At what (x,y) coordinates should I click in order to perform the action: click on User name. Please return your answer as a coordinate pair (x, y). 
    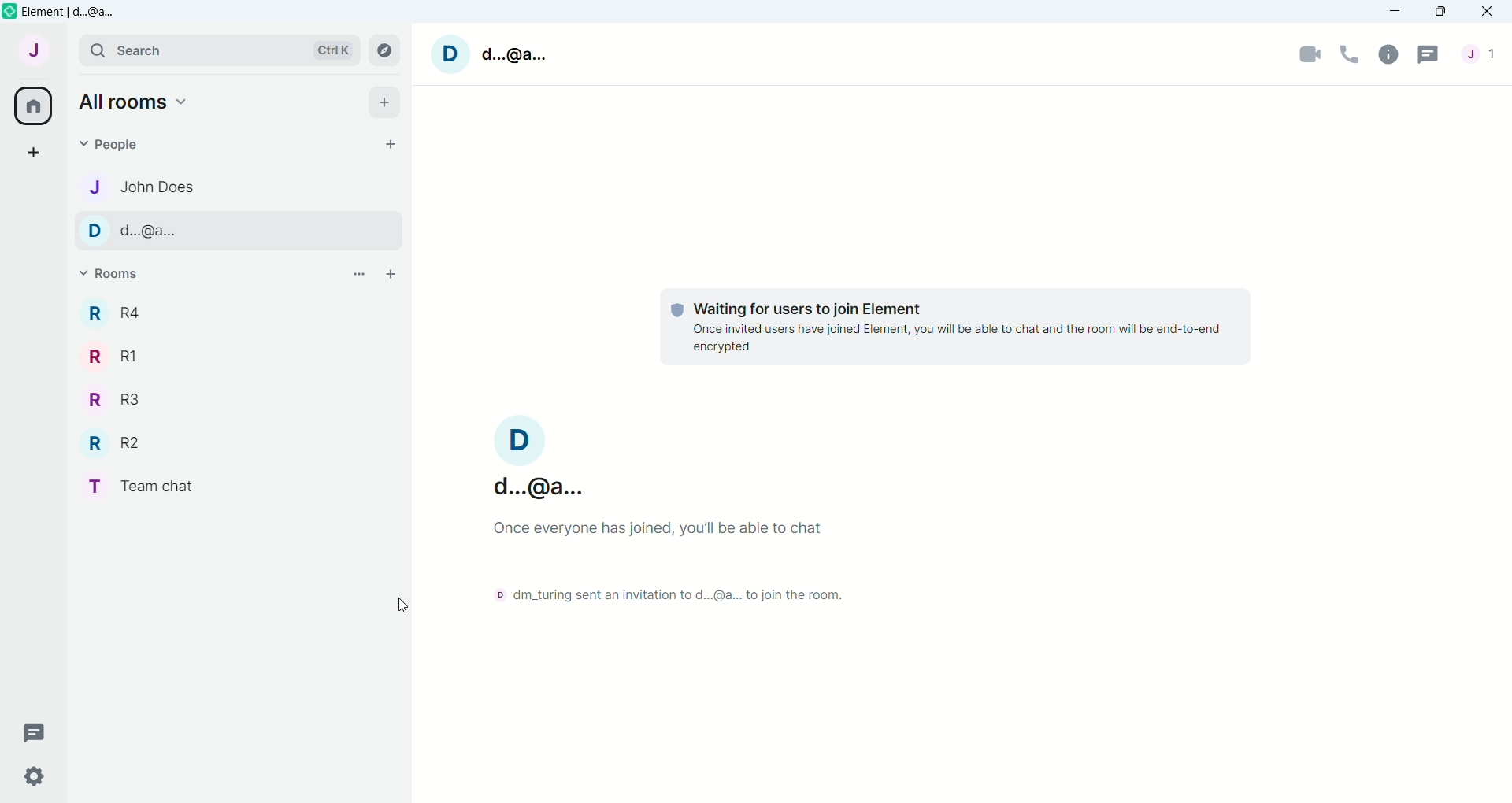
    Looking at the image, I should click on (539, 457).